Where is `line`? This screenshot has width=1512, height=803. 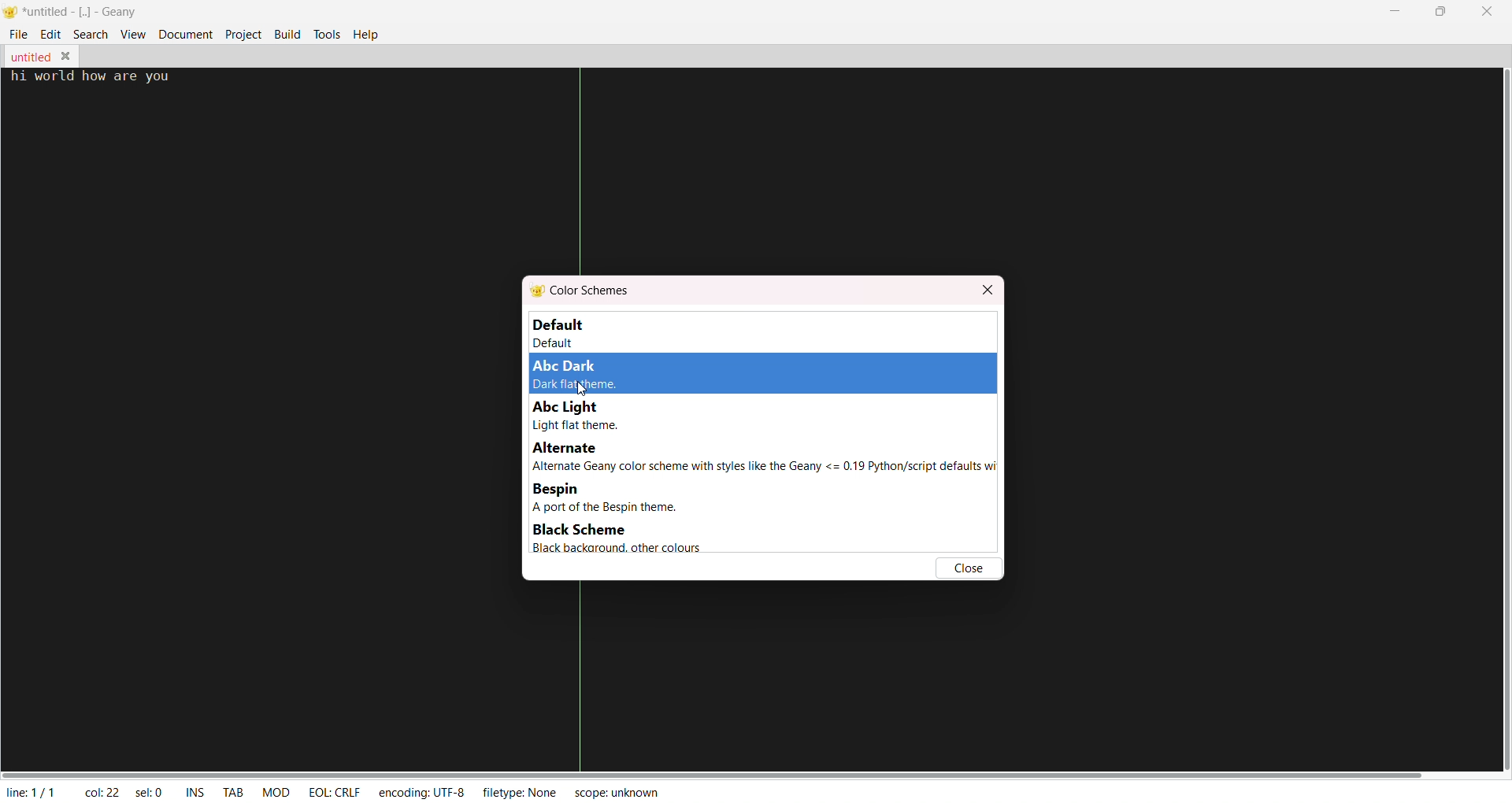
line is located at coordinates (30, 790).